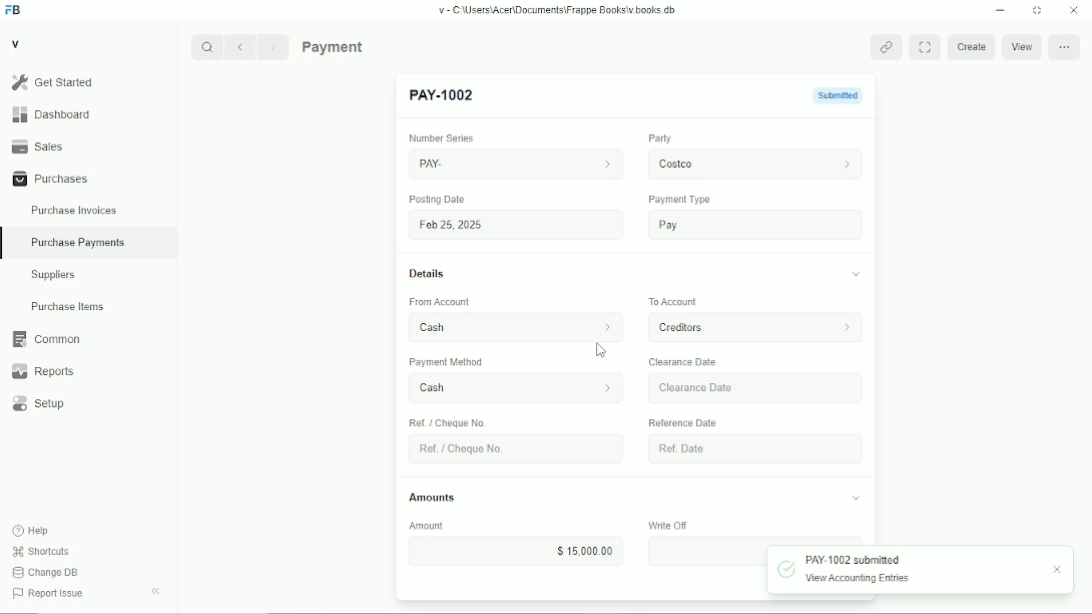 The image size is (1092, 614). What do you see at coordinates (558, 10) in the screenshot?
I see `v= C Wsers\Acen\Documents\Frappe Books\v books db` at bounding box center [558, 10].